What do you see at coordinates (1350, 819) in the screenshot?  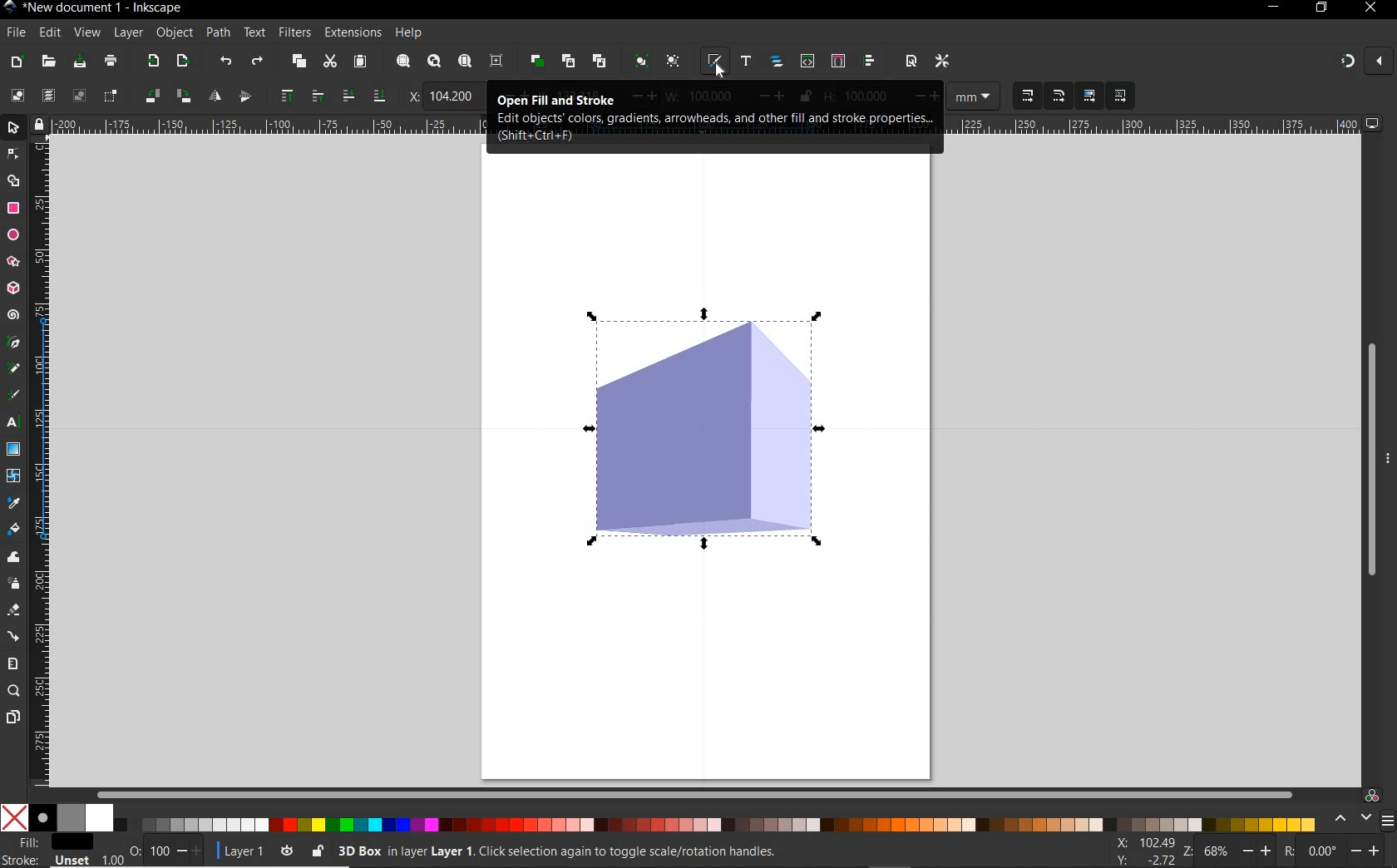 I see `scroll color options` at bounding box center [1350, 819].